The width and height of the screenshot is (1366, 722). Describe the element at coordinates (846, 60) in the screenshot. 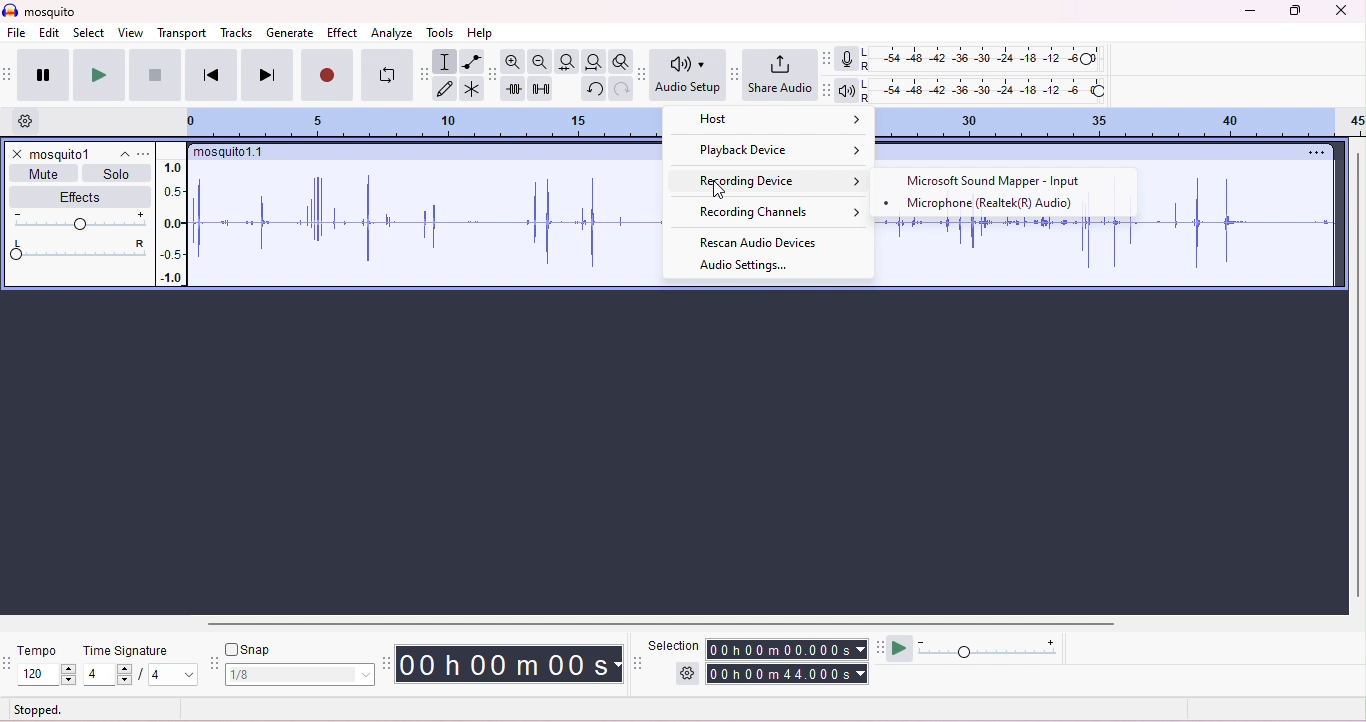

I see `recording meter` at that location.